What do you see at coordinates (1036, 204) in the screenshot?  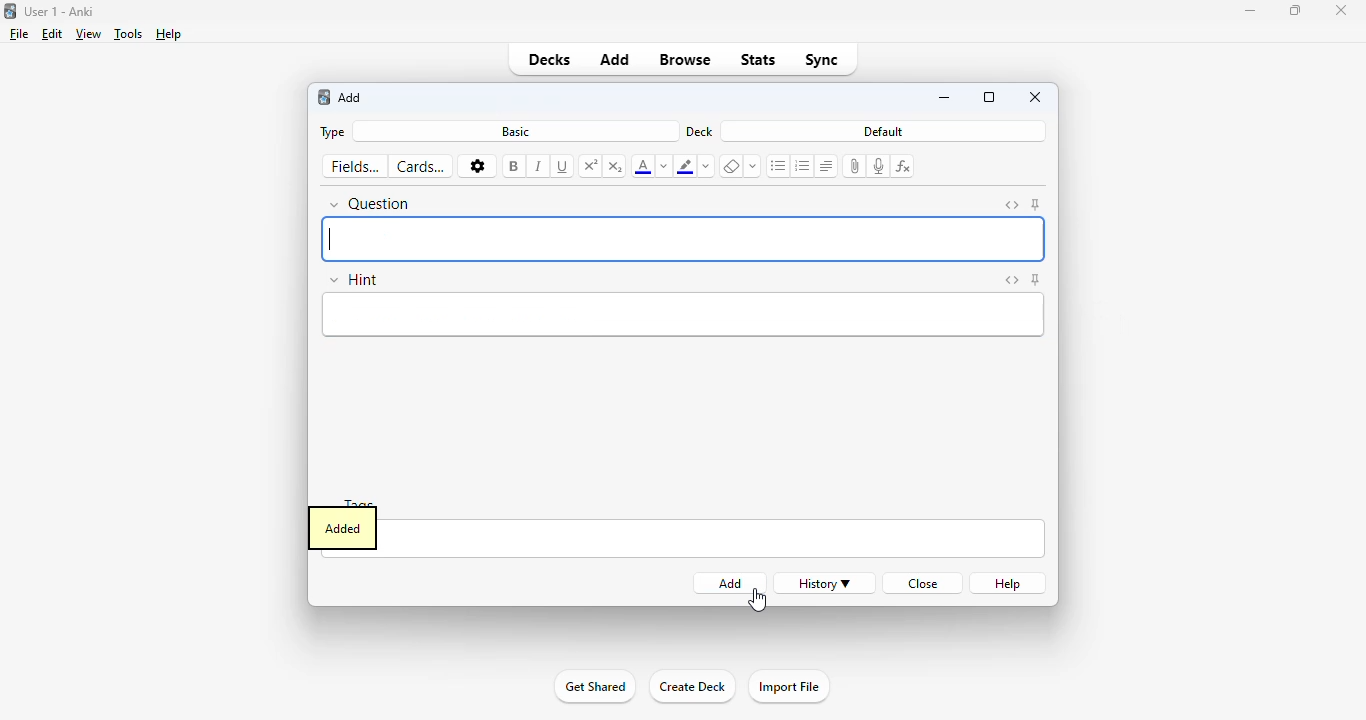 I see `toggle sticky` at bounding box center [1036, 204].